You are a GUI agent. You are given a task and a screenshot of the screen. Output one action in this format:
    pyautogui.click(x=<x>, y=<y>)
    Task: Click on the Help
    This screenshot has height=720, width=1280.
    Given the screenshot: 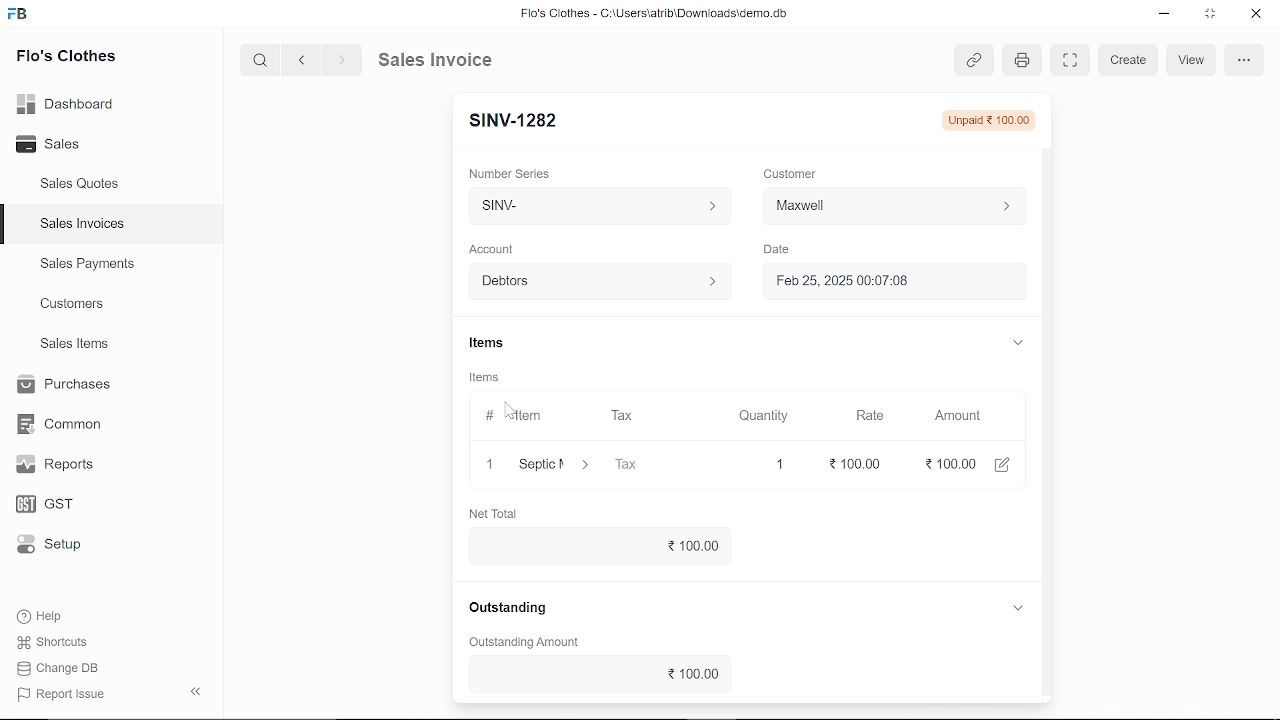 What is the action you would take?
    pyautogui.click(x=42, y=616)
    